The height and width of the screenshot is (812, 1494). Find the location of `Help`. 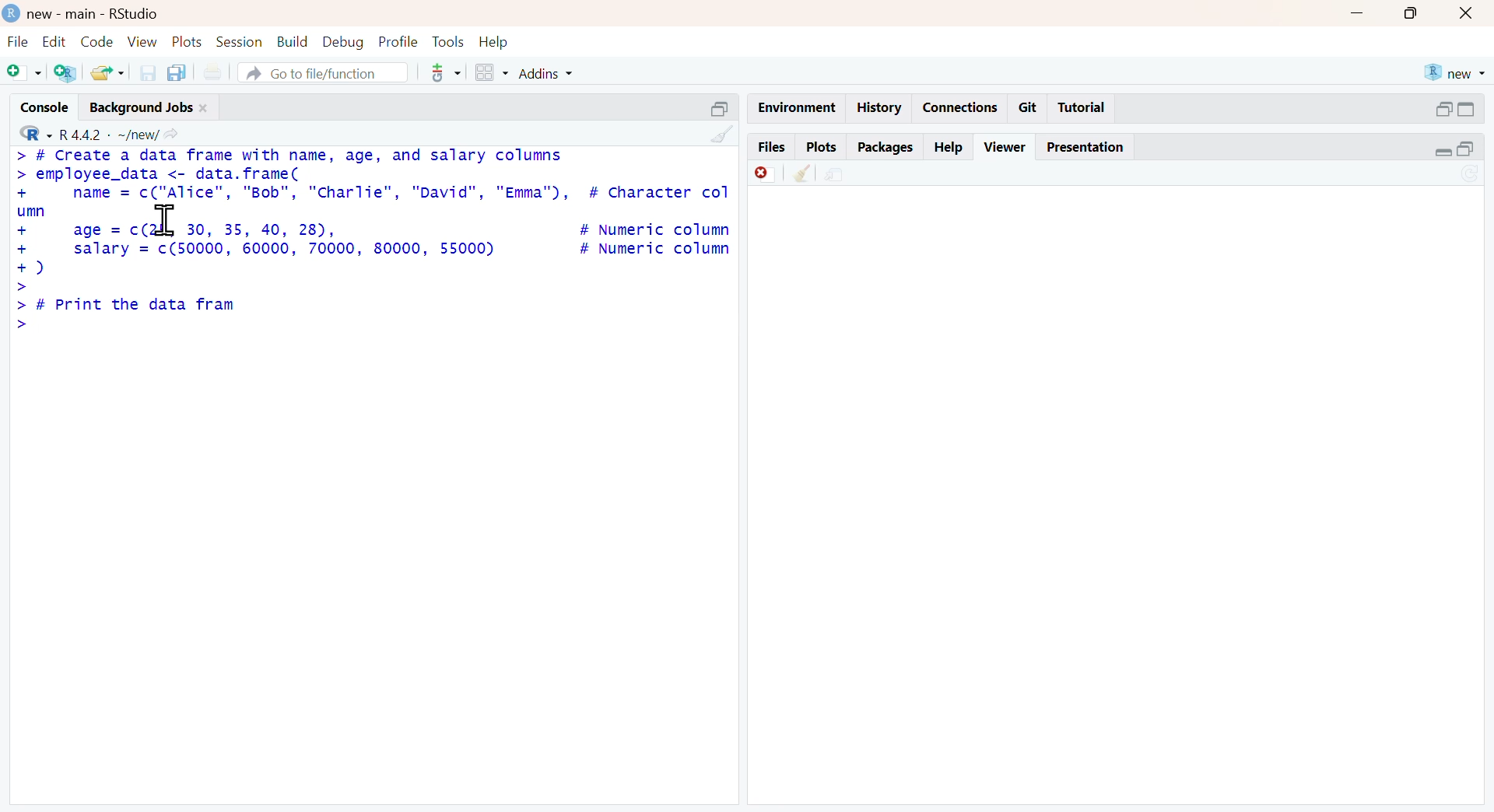

Help is located at coordinates (497, 41).